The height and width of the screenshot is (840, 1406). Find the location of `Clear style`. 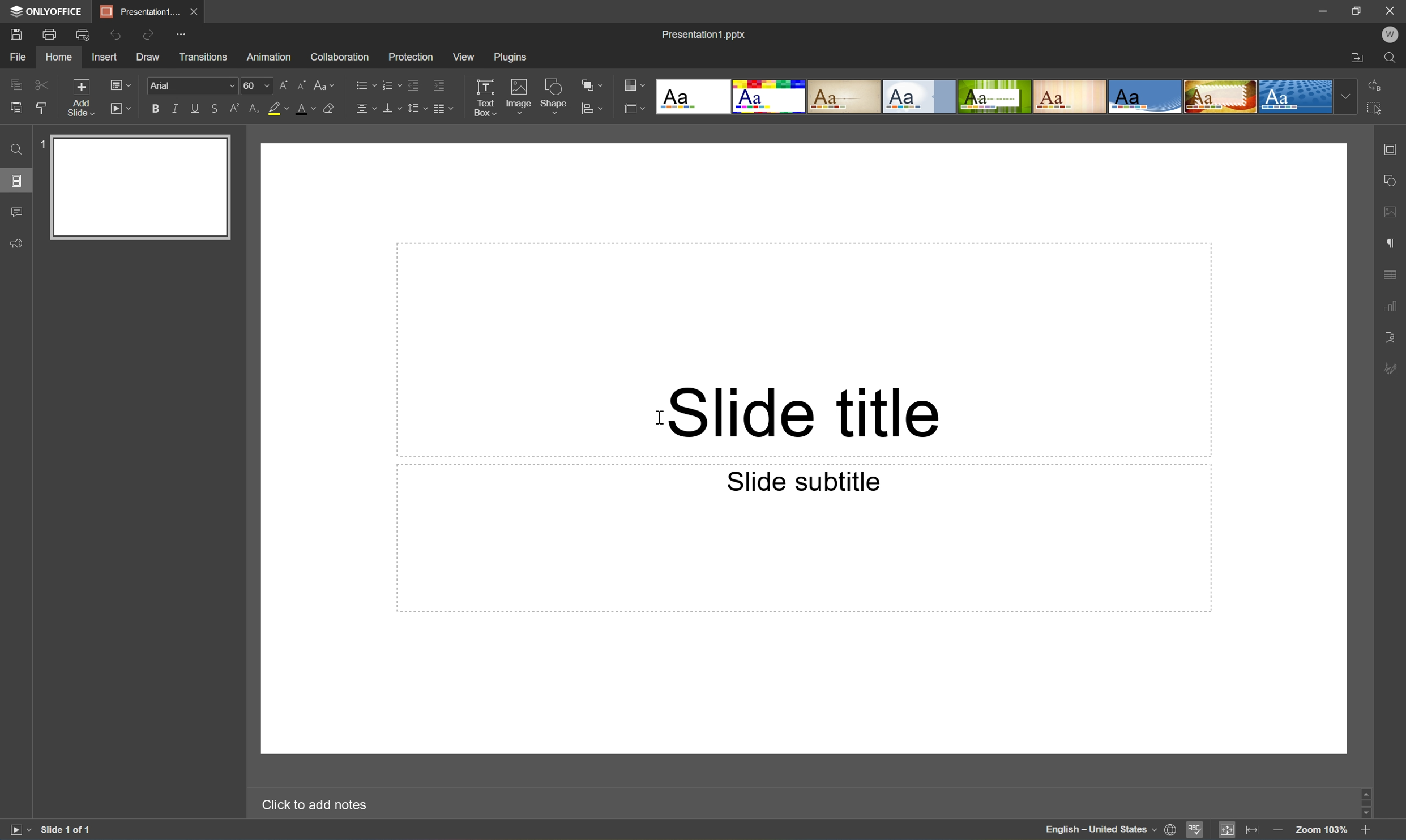

Clear style is located at coordinates (330, 107).